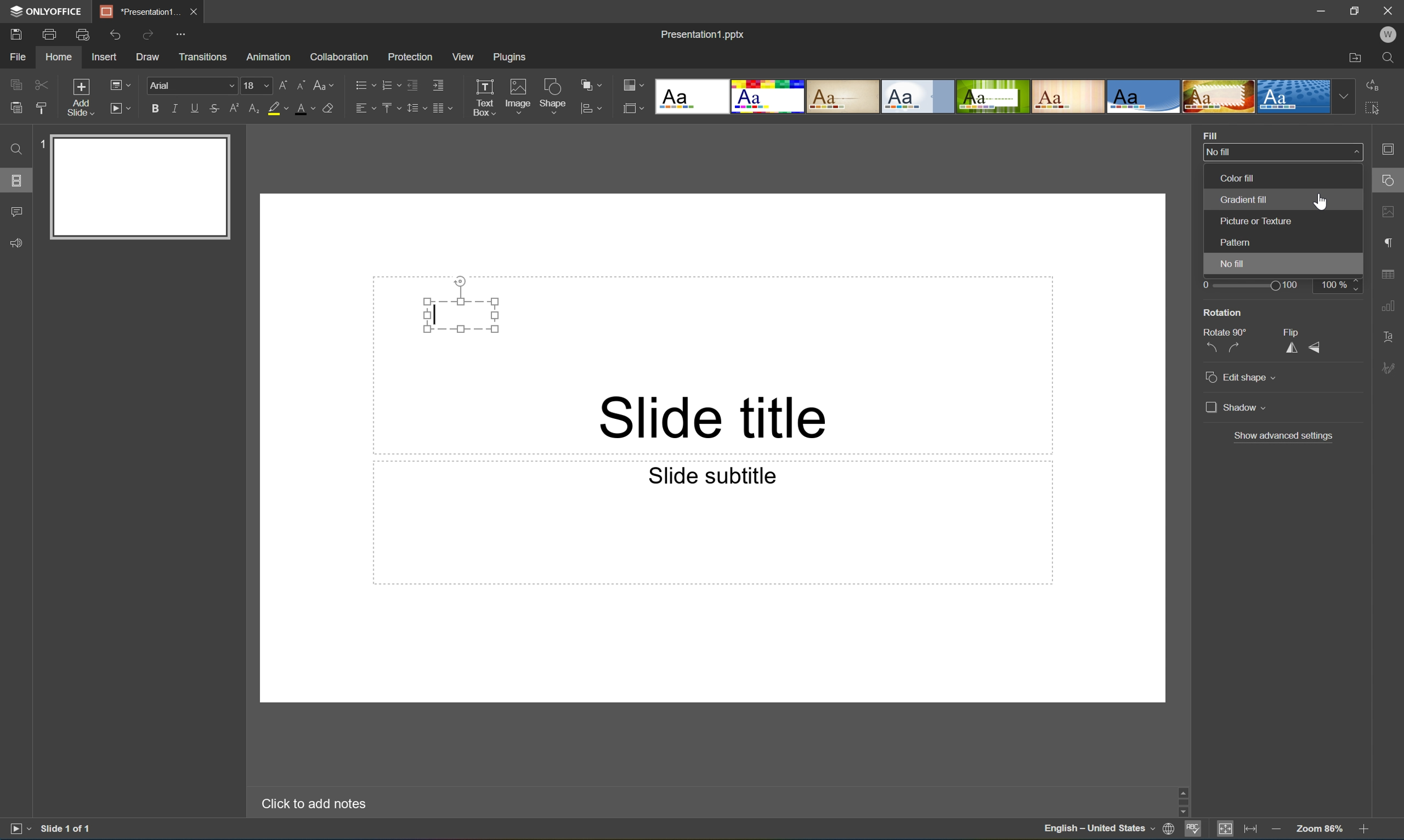  Describe the element at coordinates (1236, 266) in the screenshot. I see `No fill` at that location.